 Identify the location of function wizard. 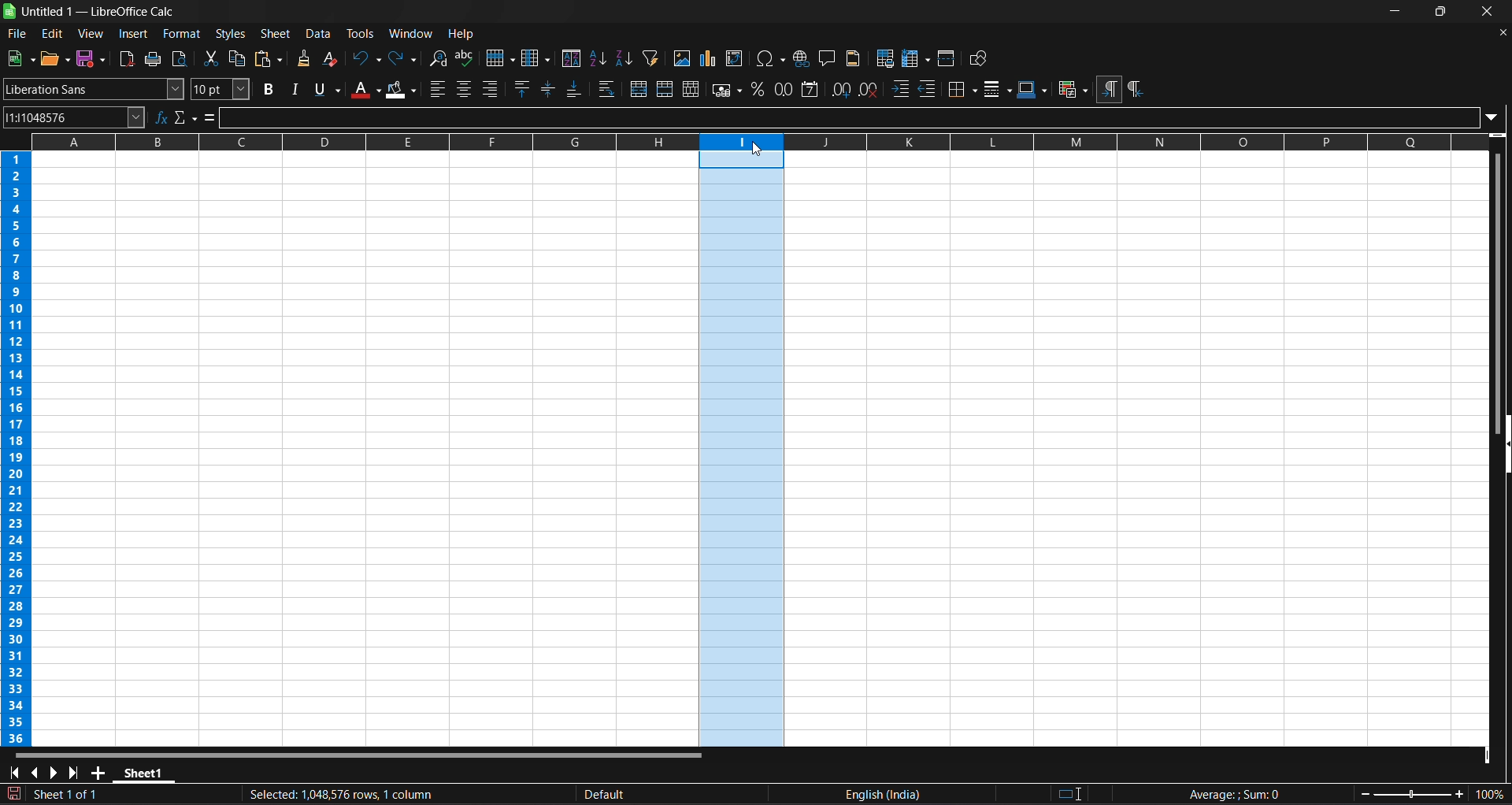
(160, 116).